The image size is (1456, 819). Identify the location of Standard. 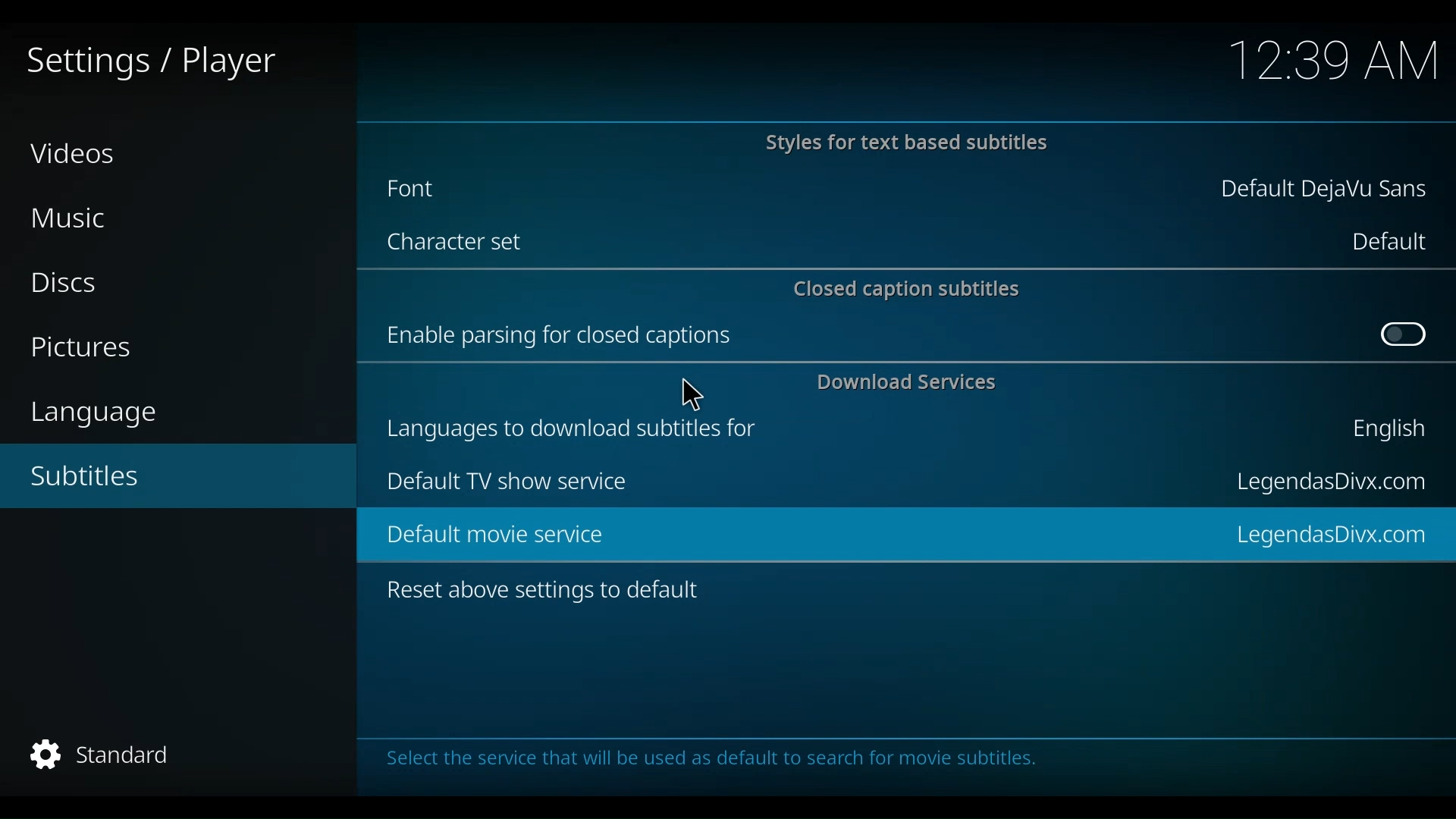
(112, 755).